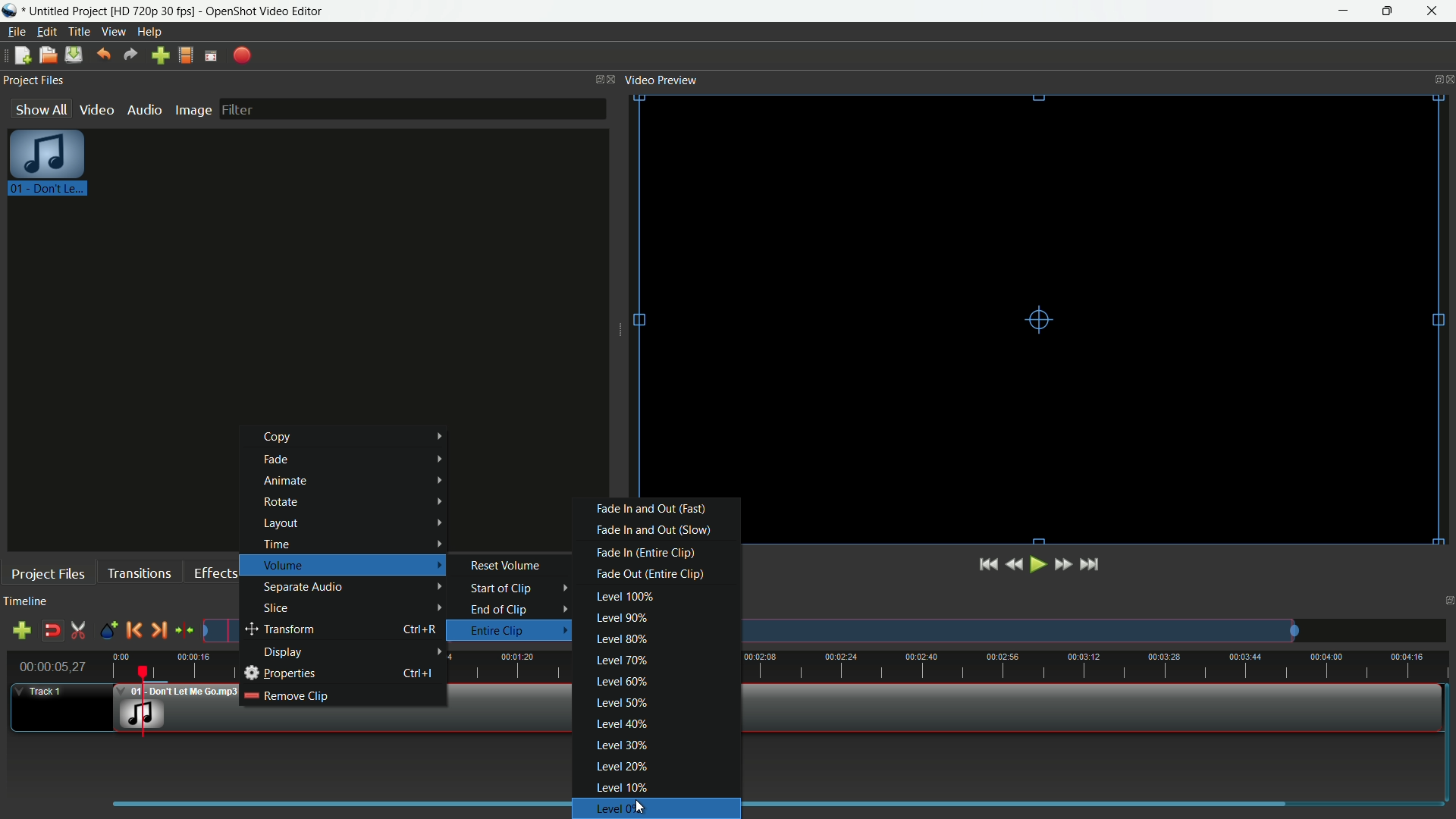  What do you see at coordinates (22, 55) in the screenshot?
I see `new file` at bounding box center [22, 55].